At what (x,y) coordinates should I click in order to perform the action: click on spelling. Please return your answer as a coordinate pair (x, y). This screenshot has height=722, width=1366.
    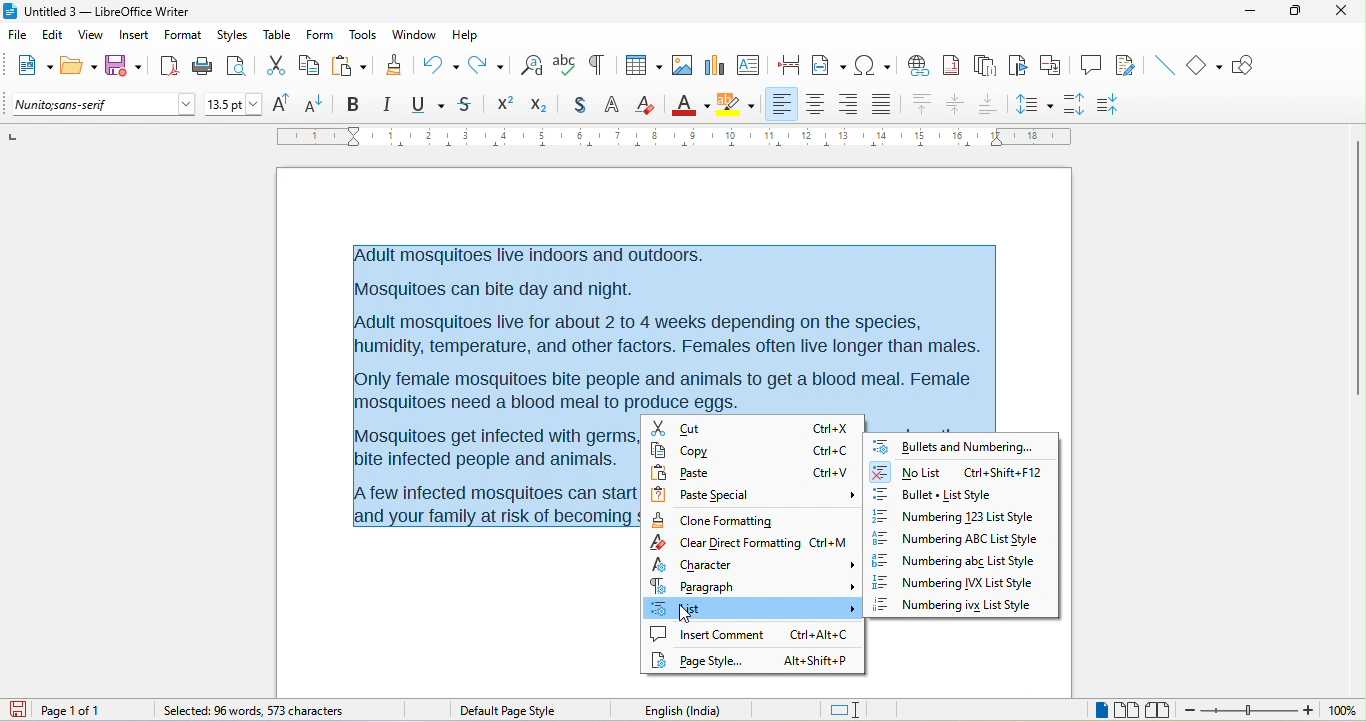
    Looking at the image, I should click on (565, 67).